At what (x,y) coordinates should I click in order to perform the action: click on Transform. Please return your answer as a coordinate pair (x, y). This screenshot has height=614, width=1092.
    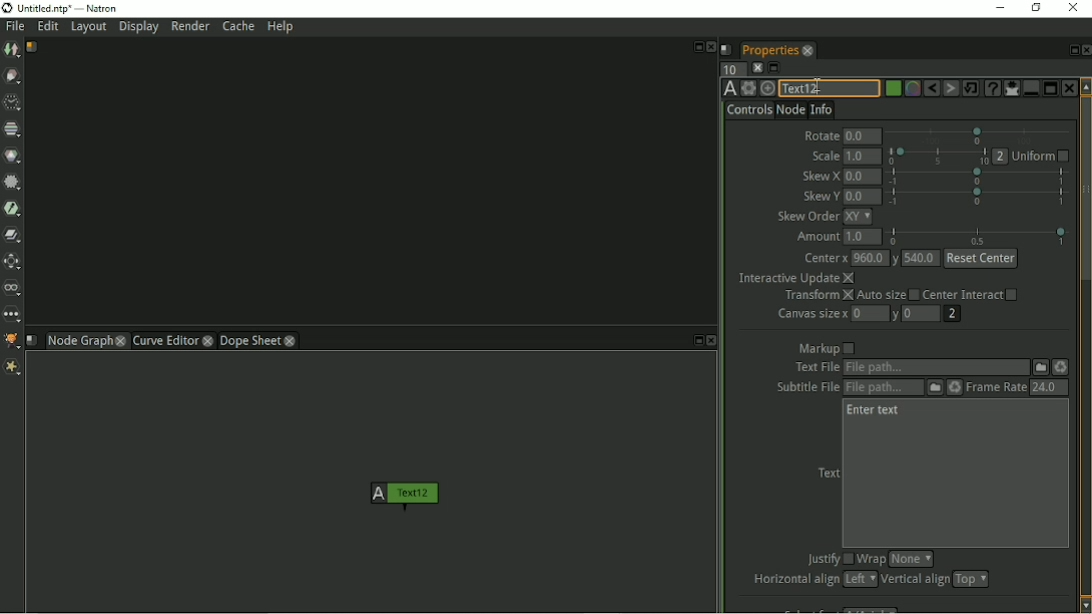
    Looking at the image, I should click on (817, 296).